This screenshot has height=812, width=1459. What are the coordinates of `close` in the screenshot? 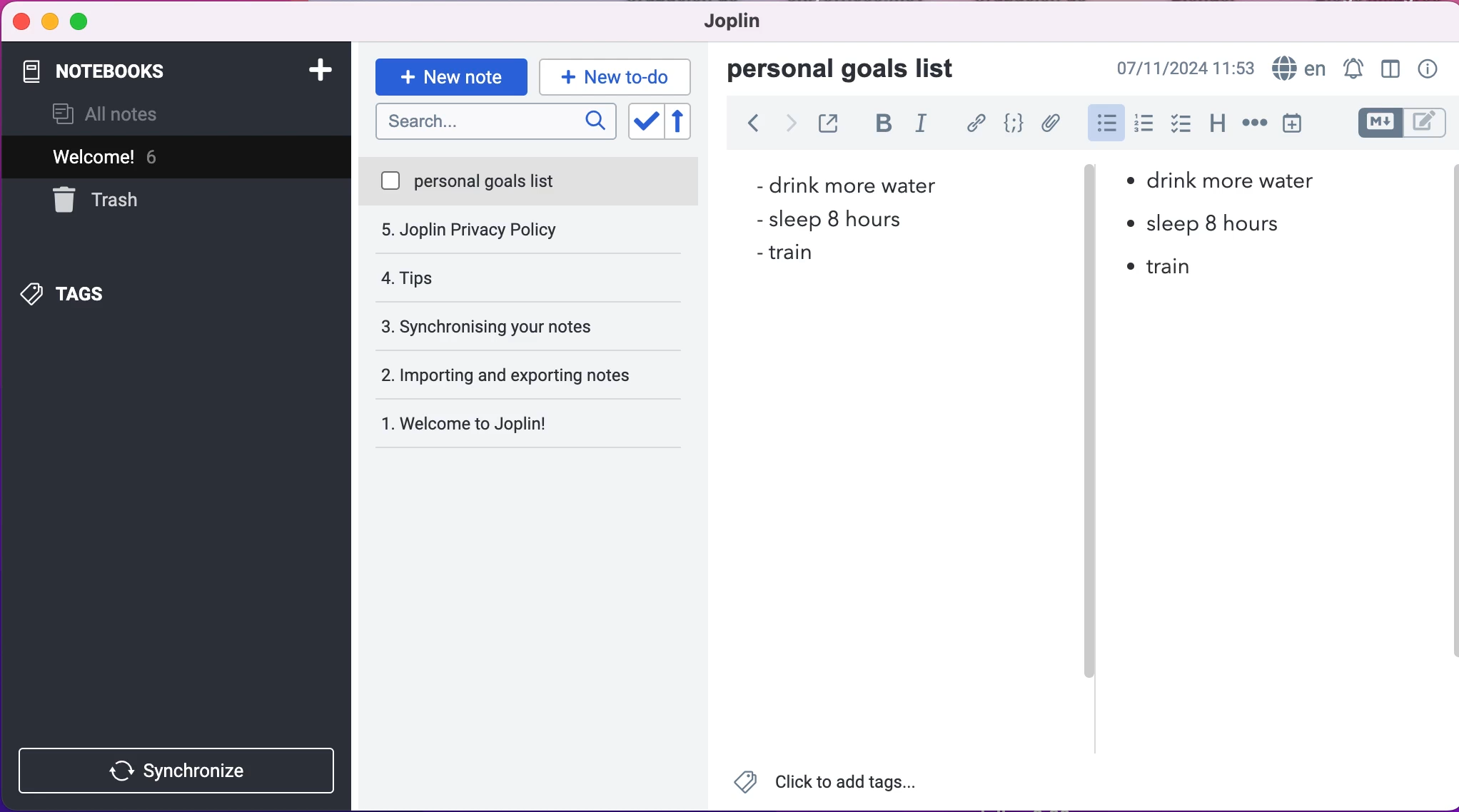 It's located at (21, 21).